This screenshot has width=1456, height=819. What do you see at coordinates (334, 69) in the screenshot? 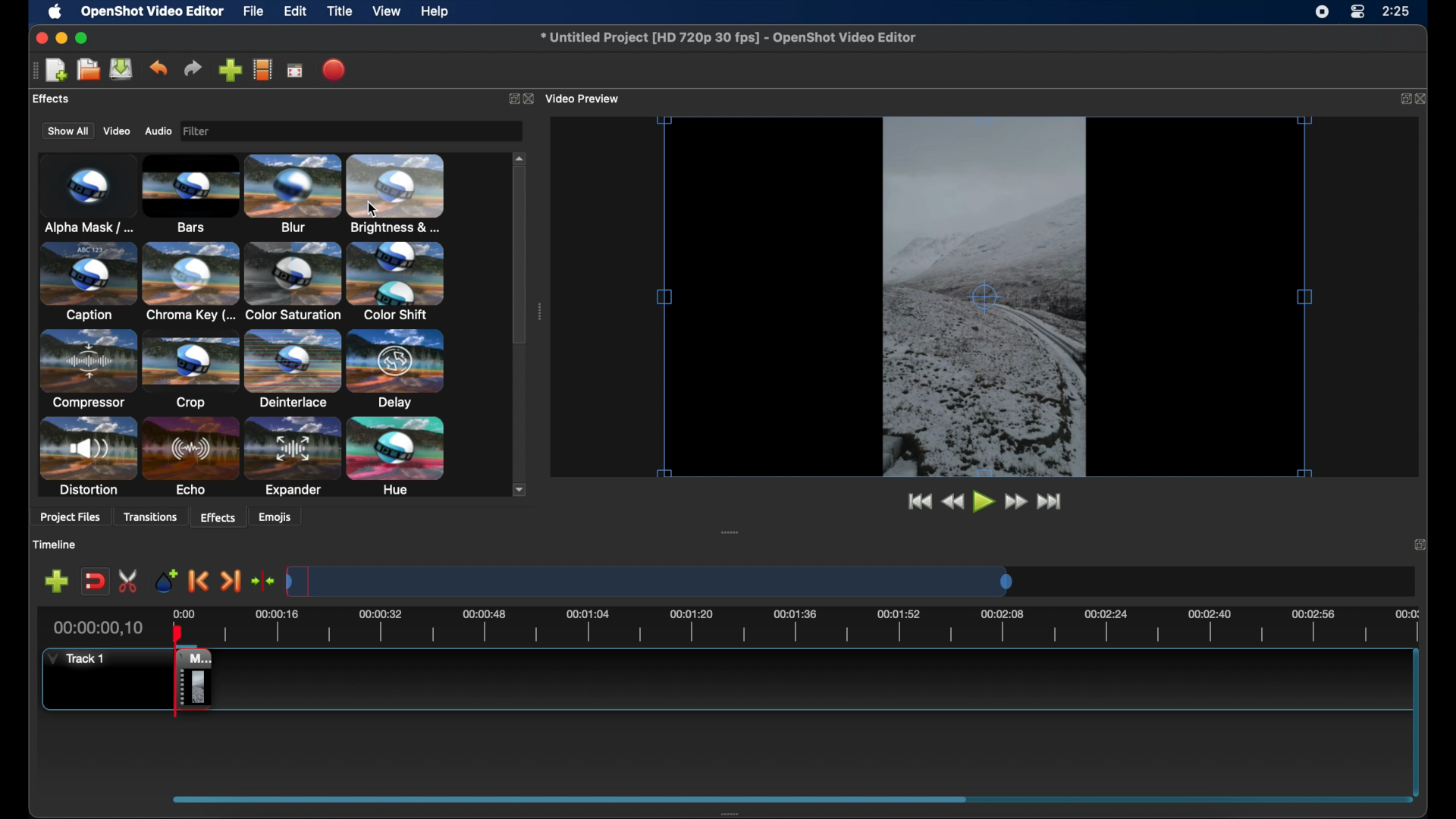
I see `export video` at bounding box center [334, 69].